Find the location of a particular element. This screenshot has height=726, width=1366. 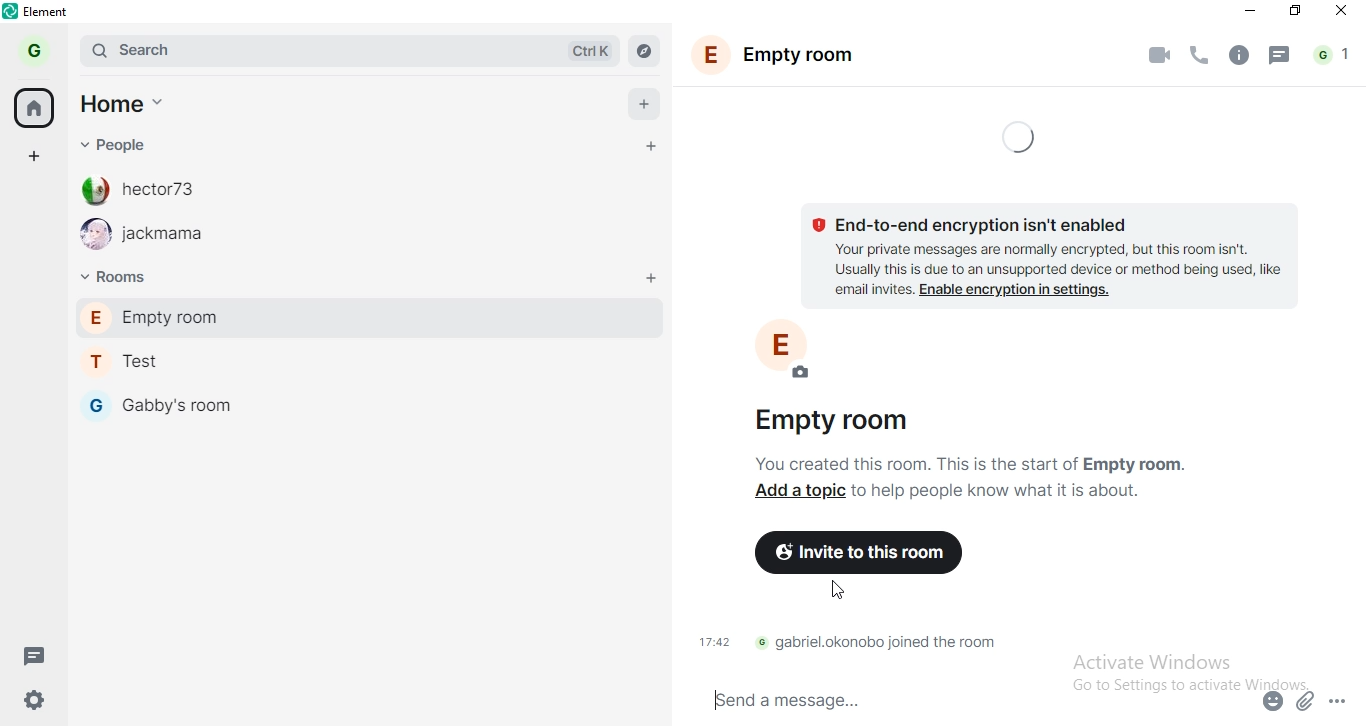

cursor is located at coordinates (838, 588).